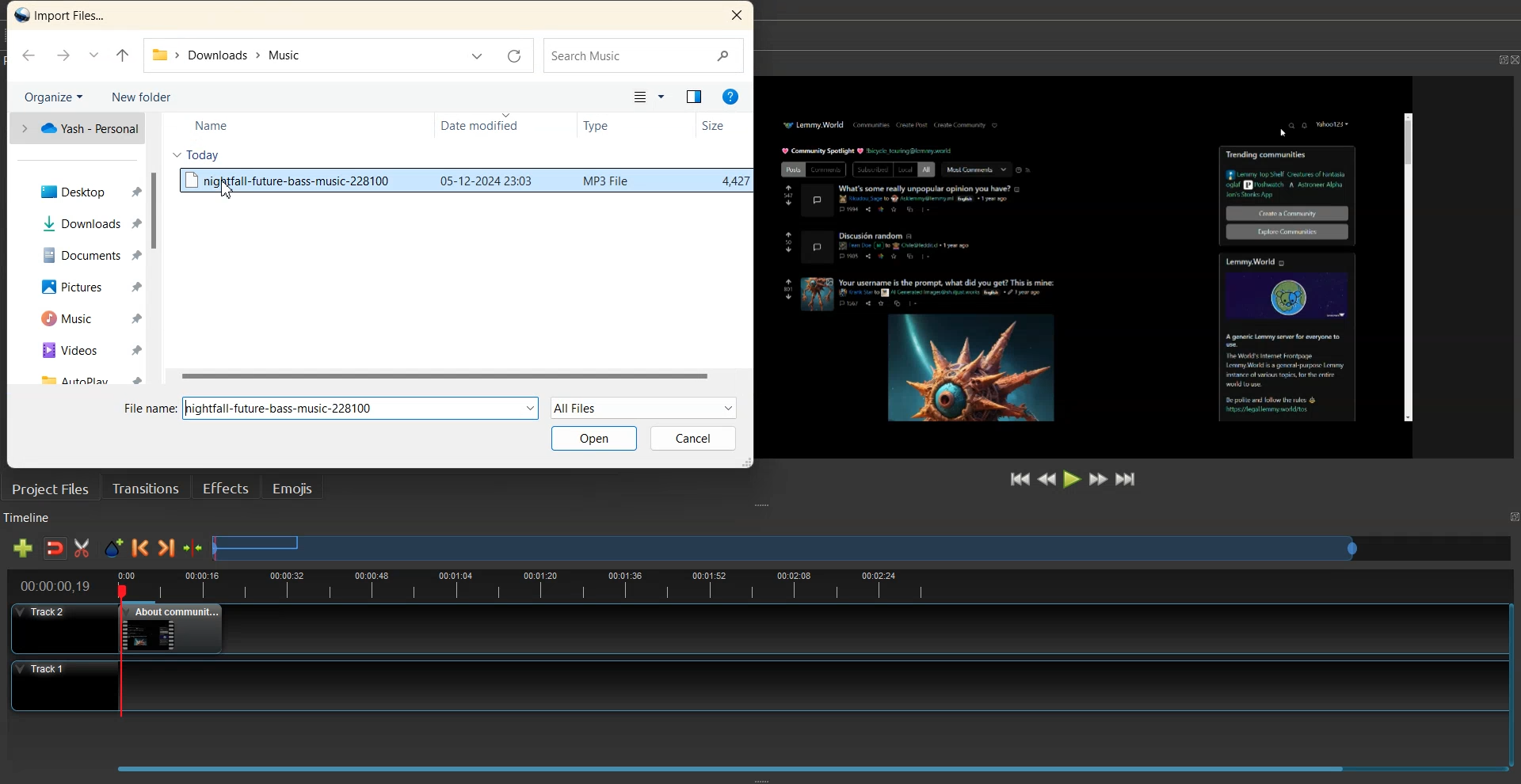 The height and width of the screenshot is (784, 1521). Describe the element at coordinates (516, 56) in the screenshot. I see `Refresh` at that location.